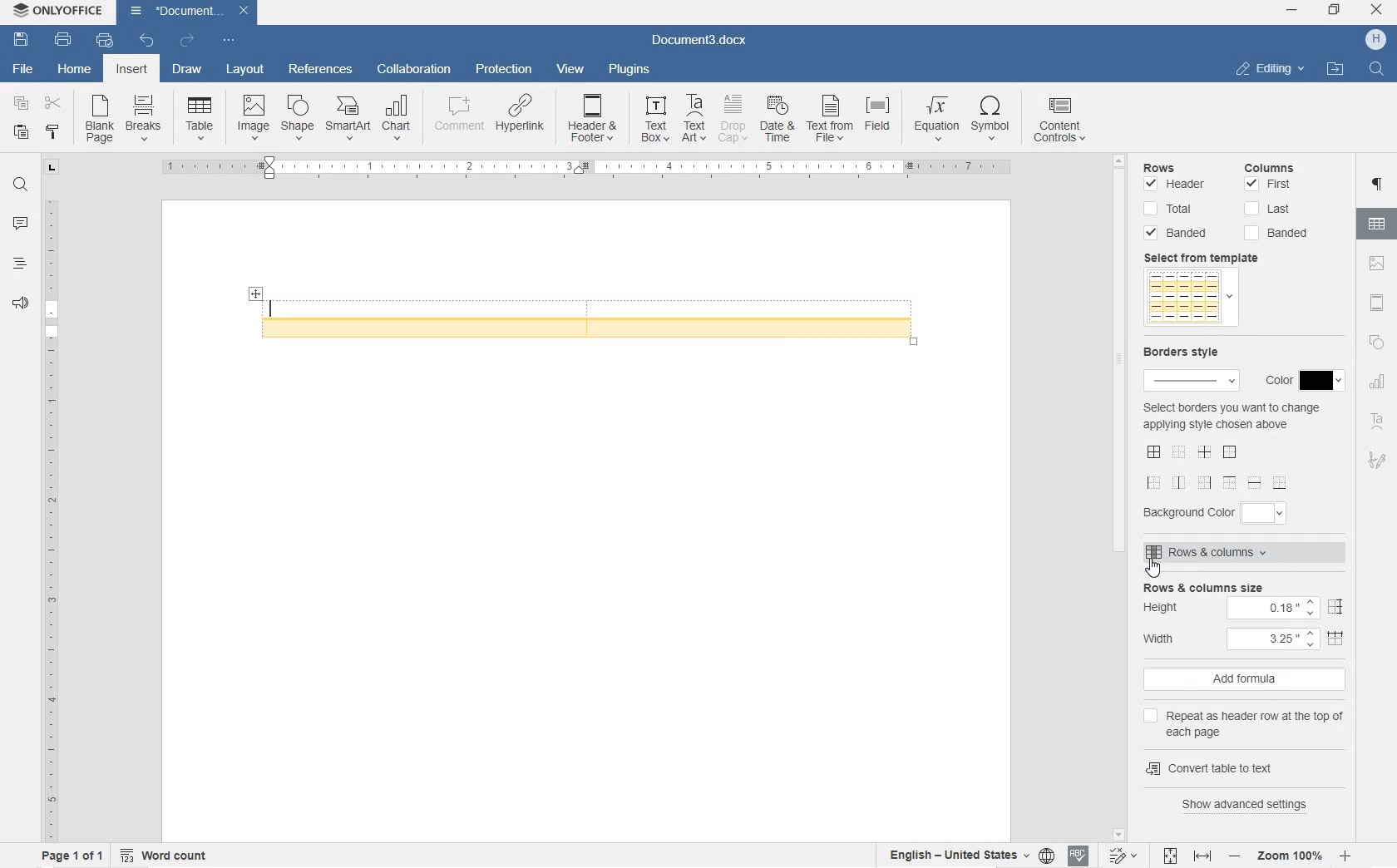 This screenshot has height=868, width=1397. Describe the element at coordinates (1291, 855) in the screenshot. I see `ZOOM IN OR OUT` at that location.